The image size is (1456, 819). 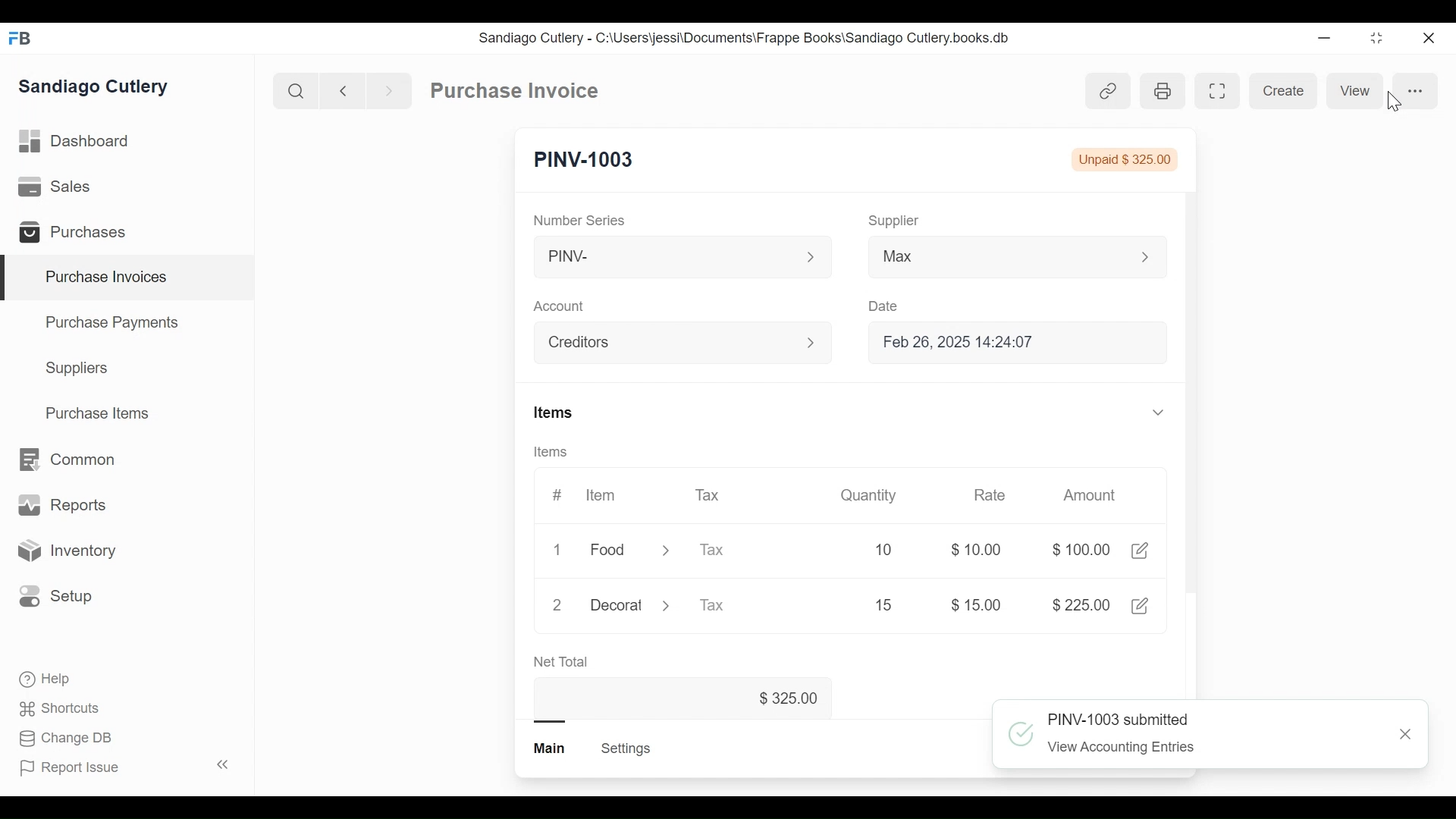 I want to click on Frappe Books Desktop icon, so click(x=25, y=39).